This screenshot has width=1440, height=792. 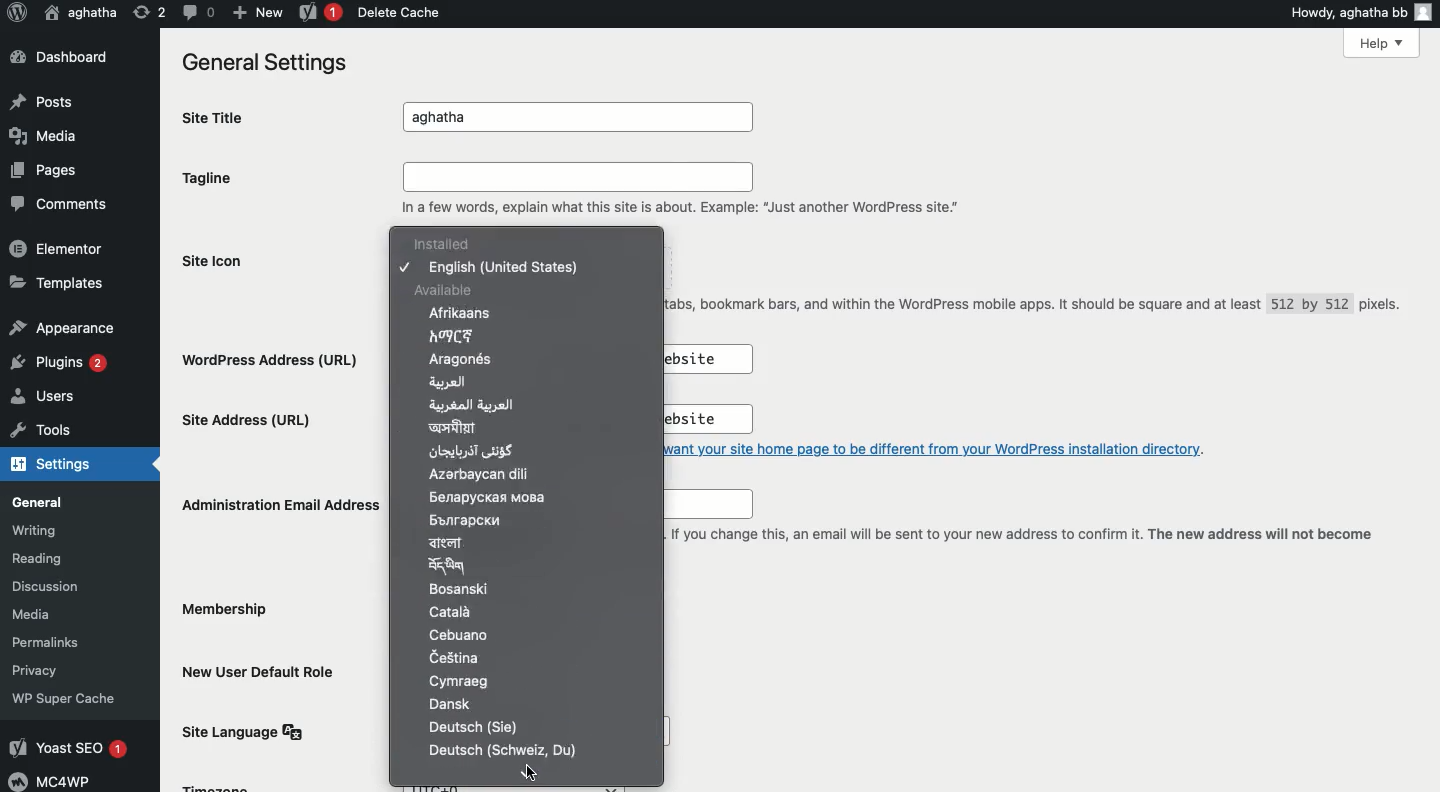 What do you see at coordinates (54, 201) in the screenshot?
I see `Comments` at bounding box center [54, 201].